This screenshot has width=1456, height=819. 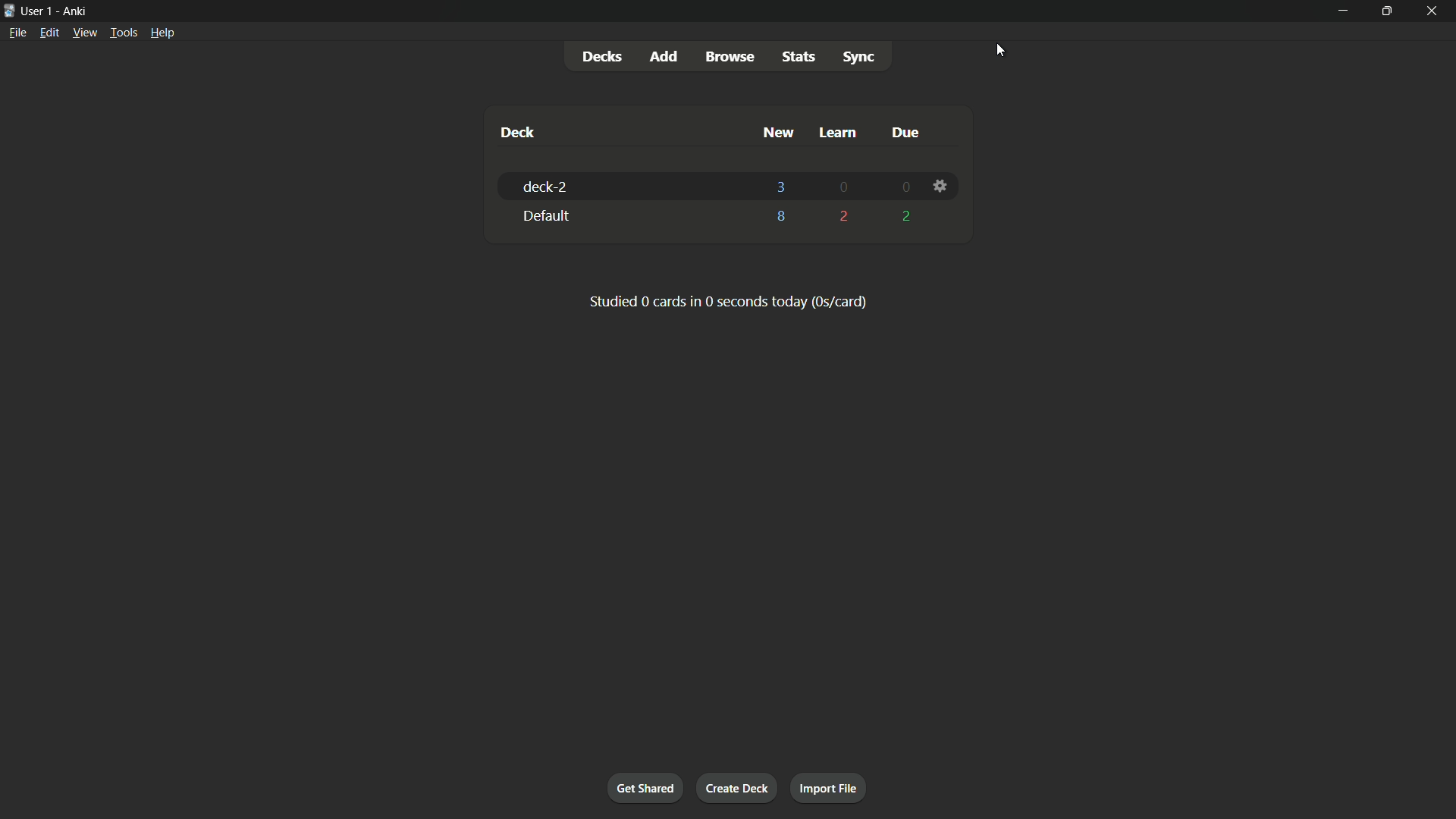 What do you see at coordinates (726, 300) in the screenshot?
I see `text for studied card` at bounding box center [726, 300].